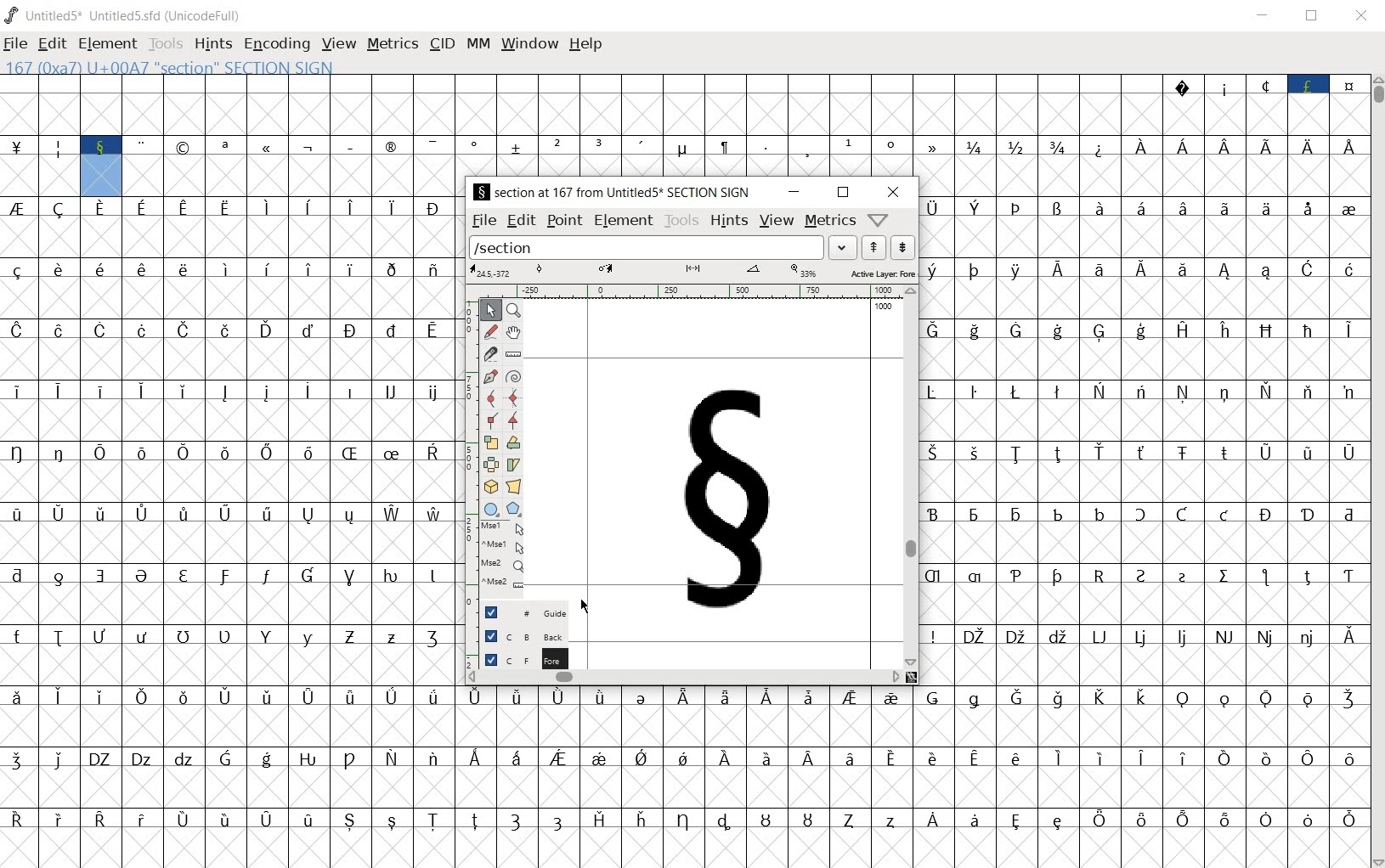  I want to click on view, so click(778, 222).